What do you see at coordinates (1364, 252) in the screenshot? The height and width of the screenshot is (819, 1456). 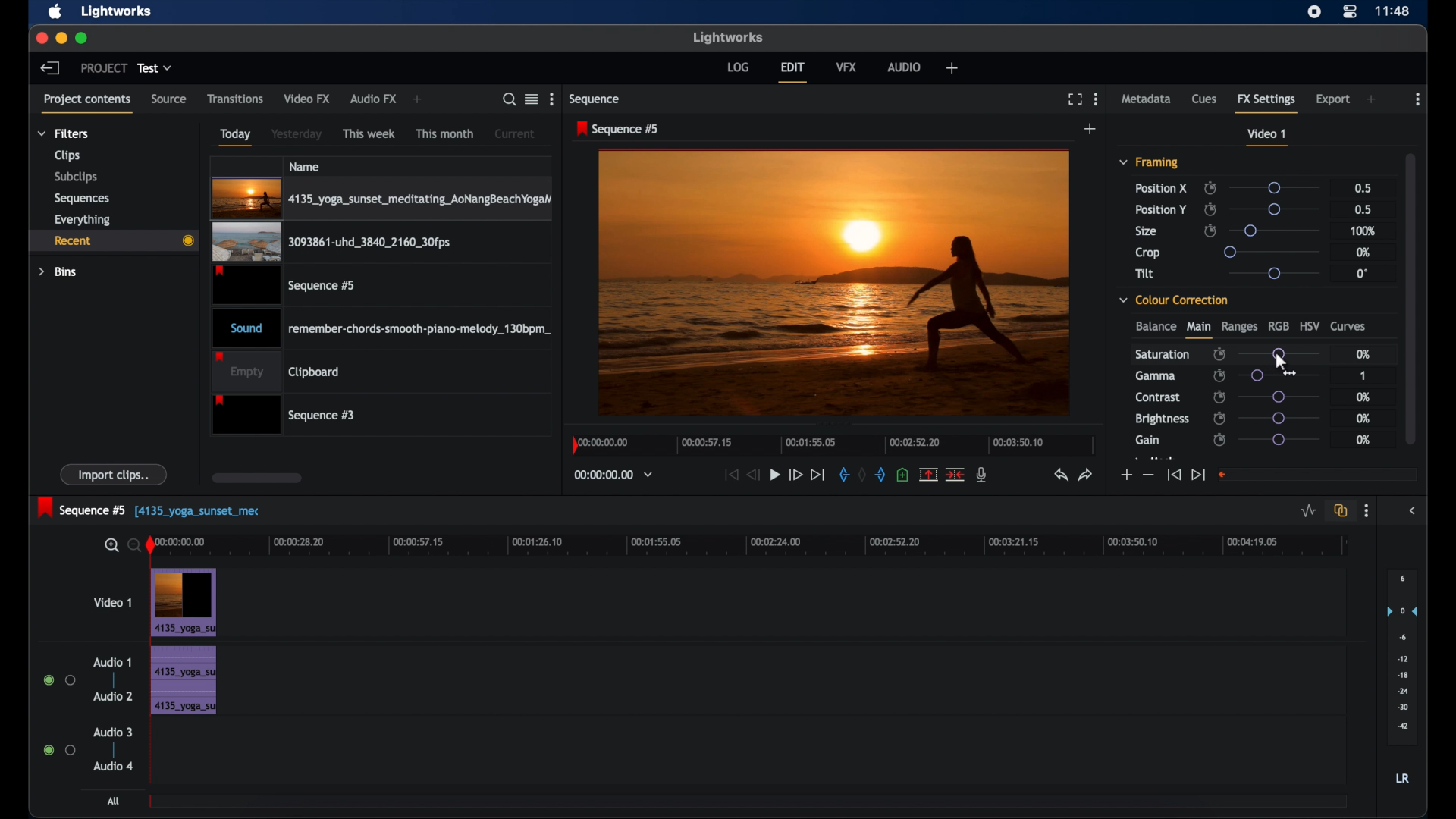 I see `0%` at bounding box center [1364, 252].